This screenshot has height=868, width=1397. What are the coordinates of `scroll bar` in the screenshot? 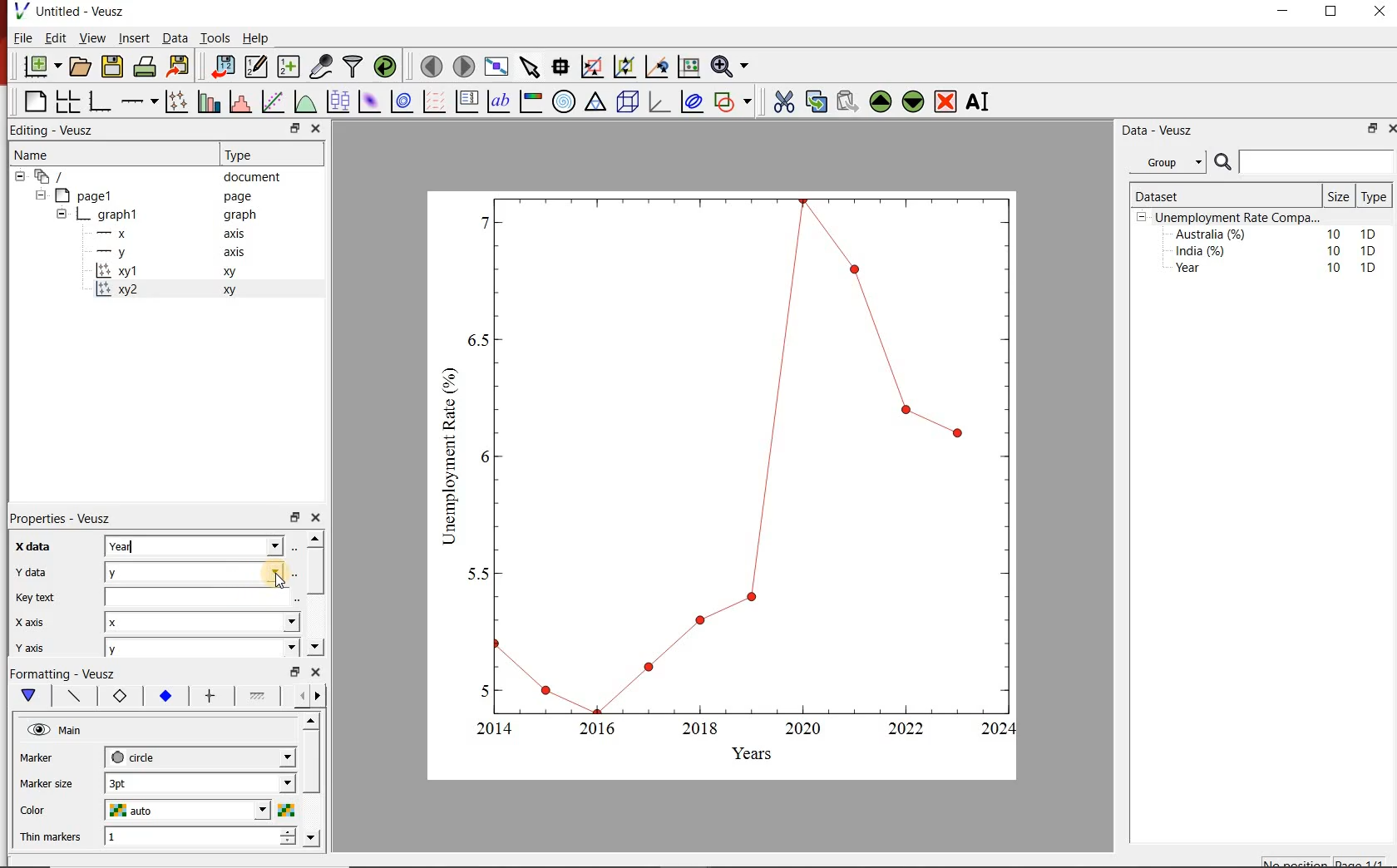 It's located at (314, 569).